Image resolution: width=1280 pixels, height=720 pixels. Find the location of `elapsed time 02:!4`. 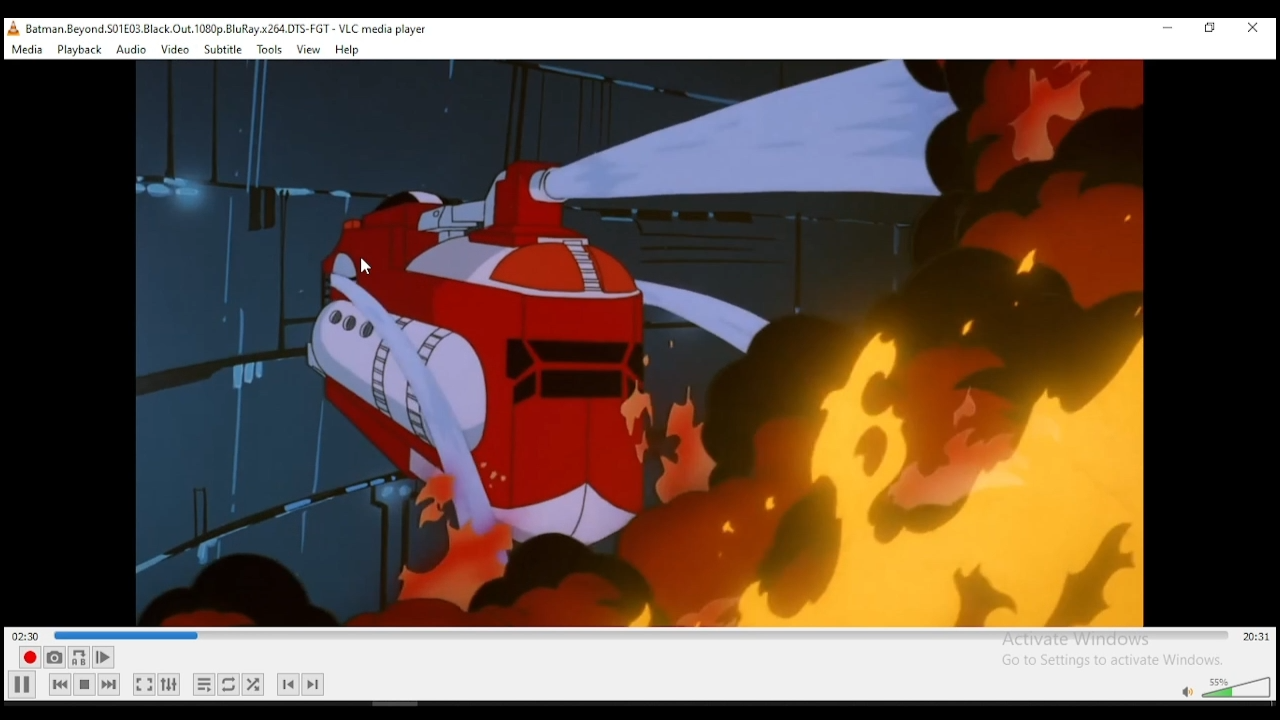

elapsed time 02:!4 is located at coordinates (29, 635).